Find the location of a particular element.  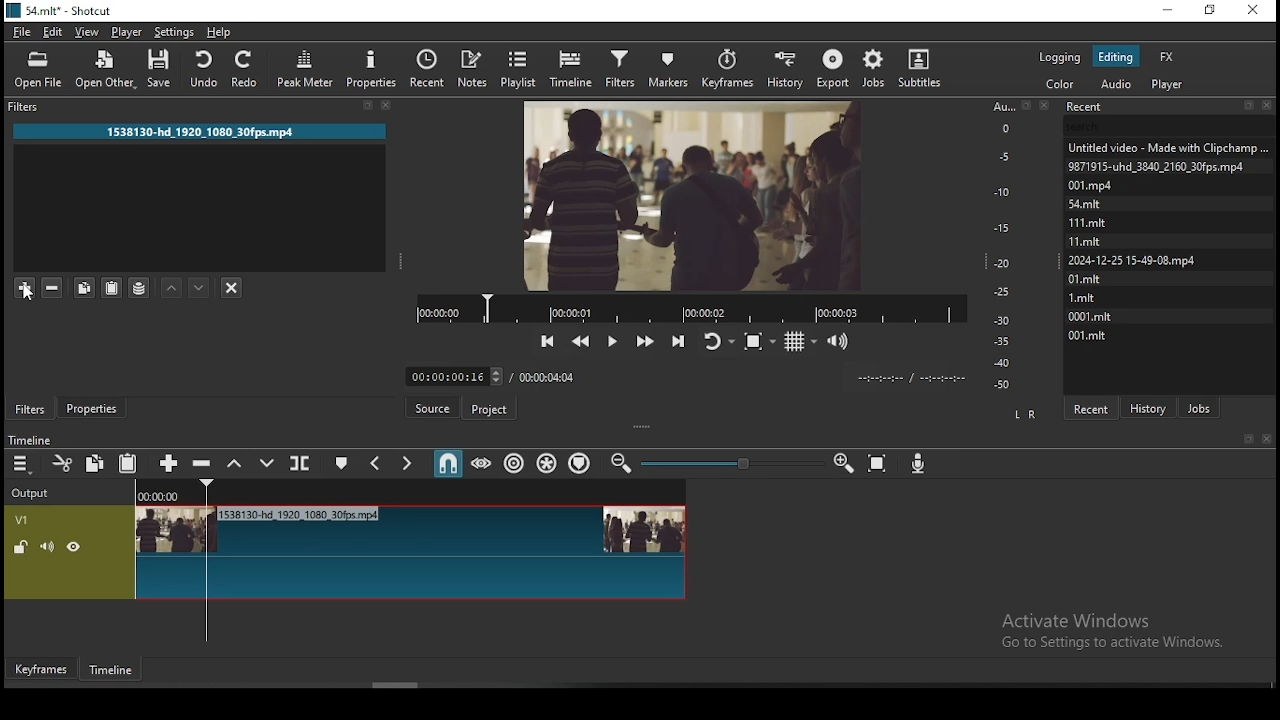

recent is located at coordinates (427, 69).